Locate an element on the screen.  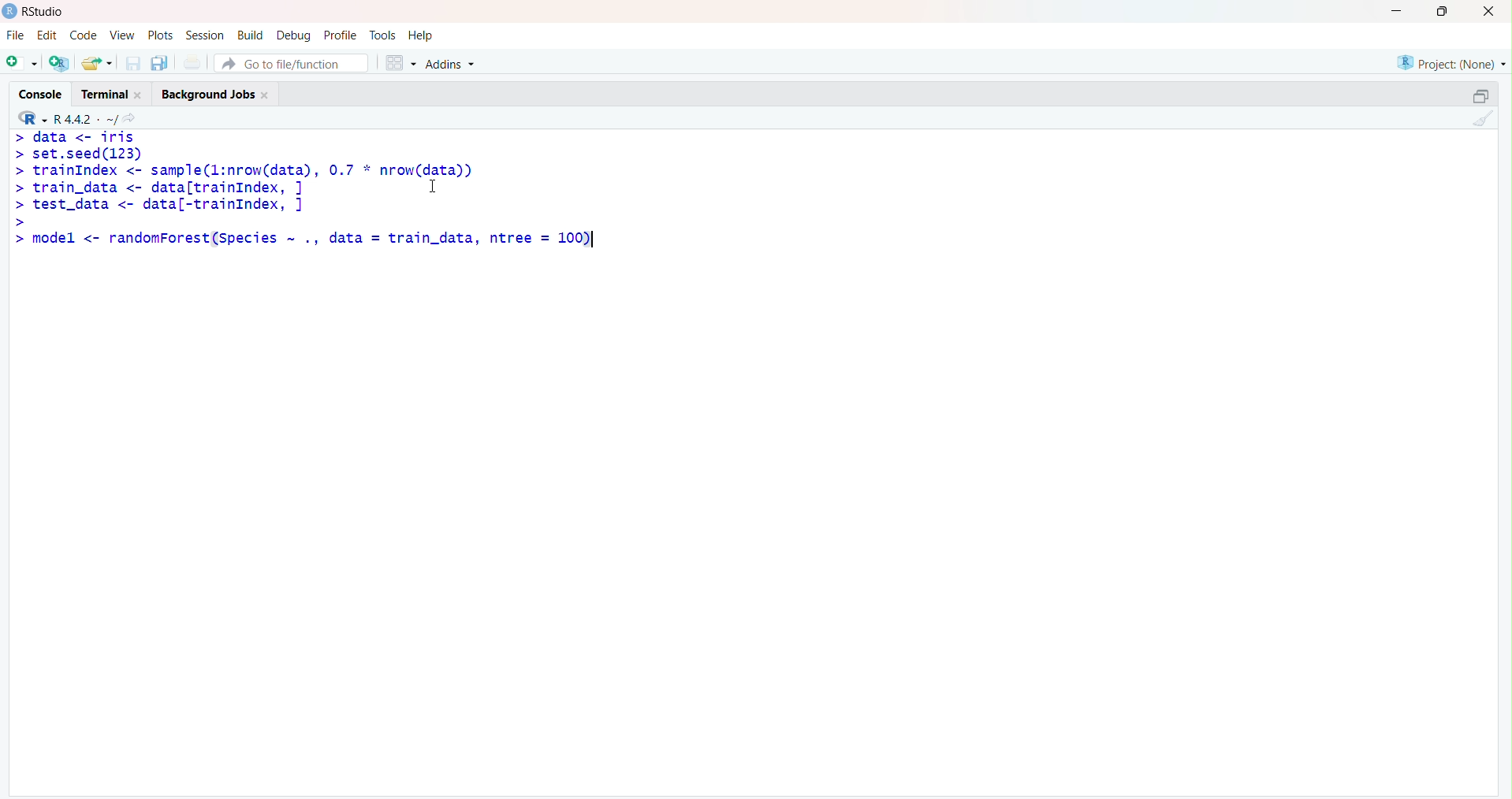
Addins is located at coordinates (452, 62).